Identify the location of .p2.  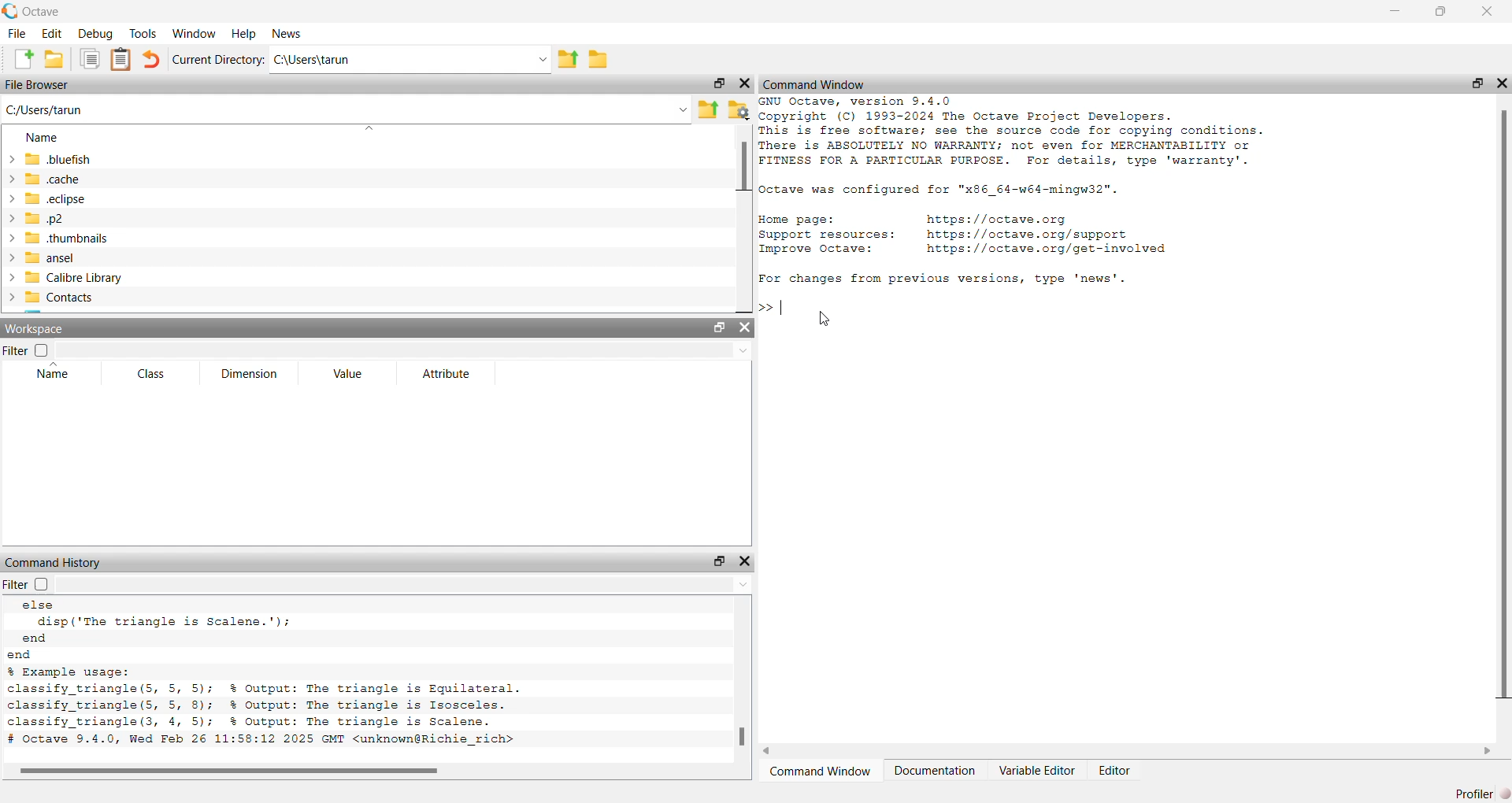
(57, 218).